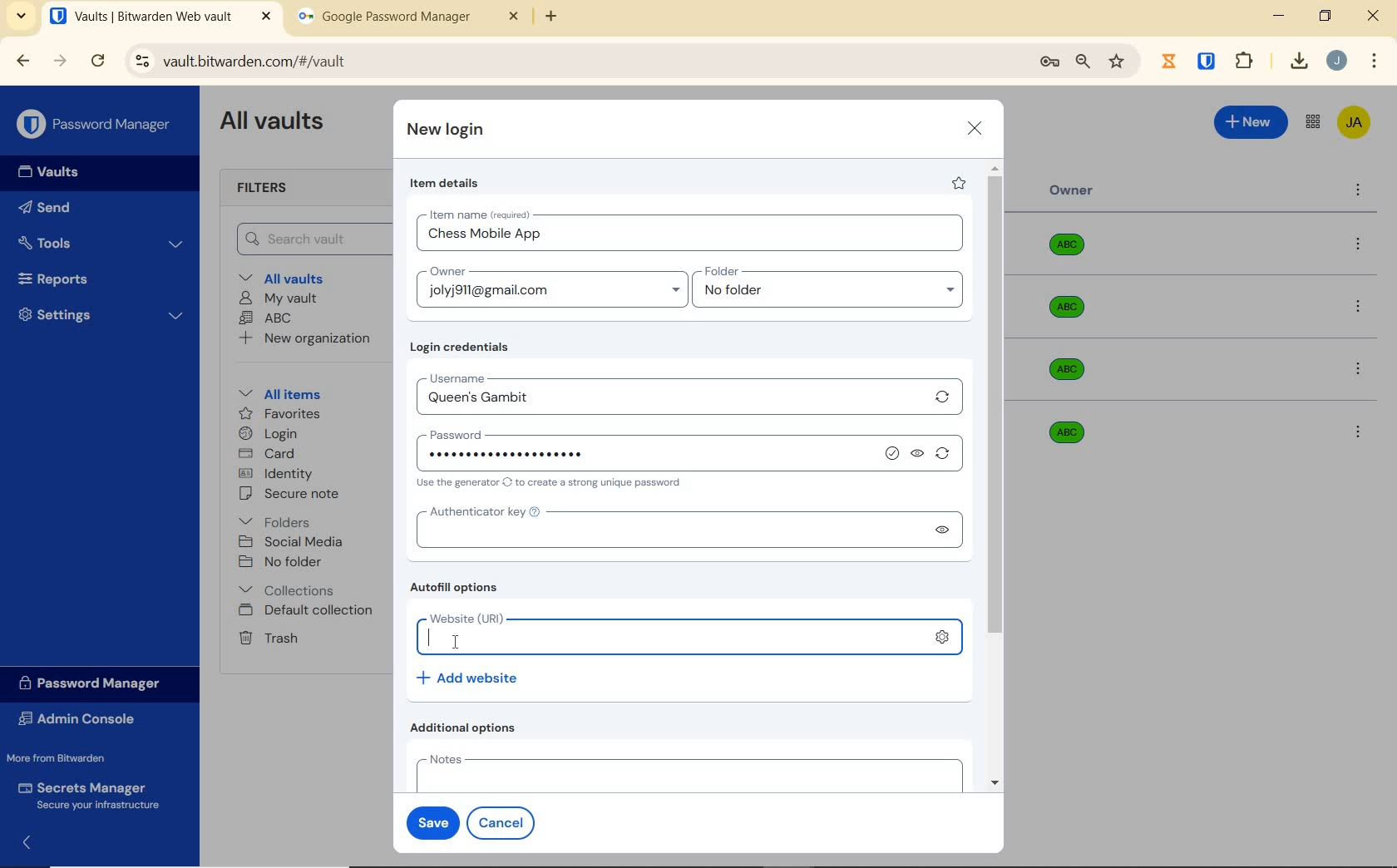 The width and height of the screenshot is (1397, 868). What do you see at coordinates (957, 183) in the screenshot?
I see `favorite` at bounding box center [957, 183].